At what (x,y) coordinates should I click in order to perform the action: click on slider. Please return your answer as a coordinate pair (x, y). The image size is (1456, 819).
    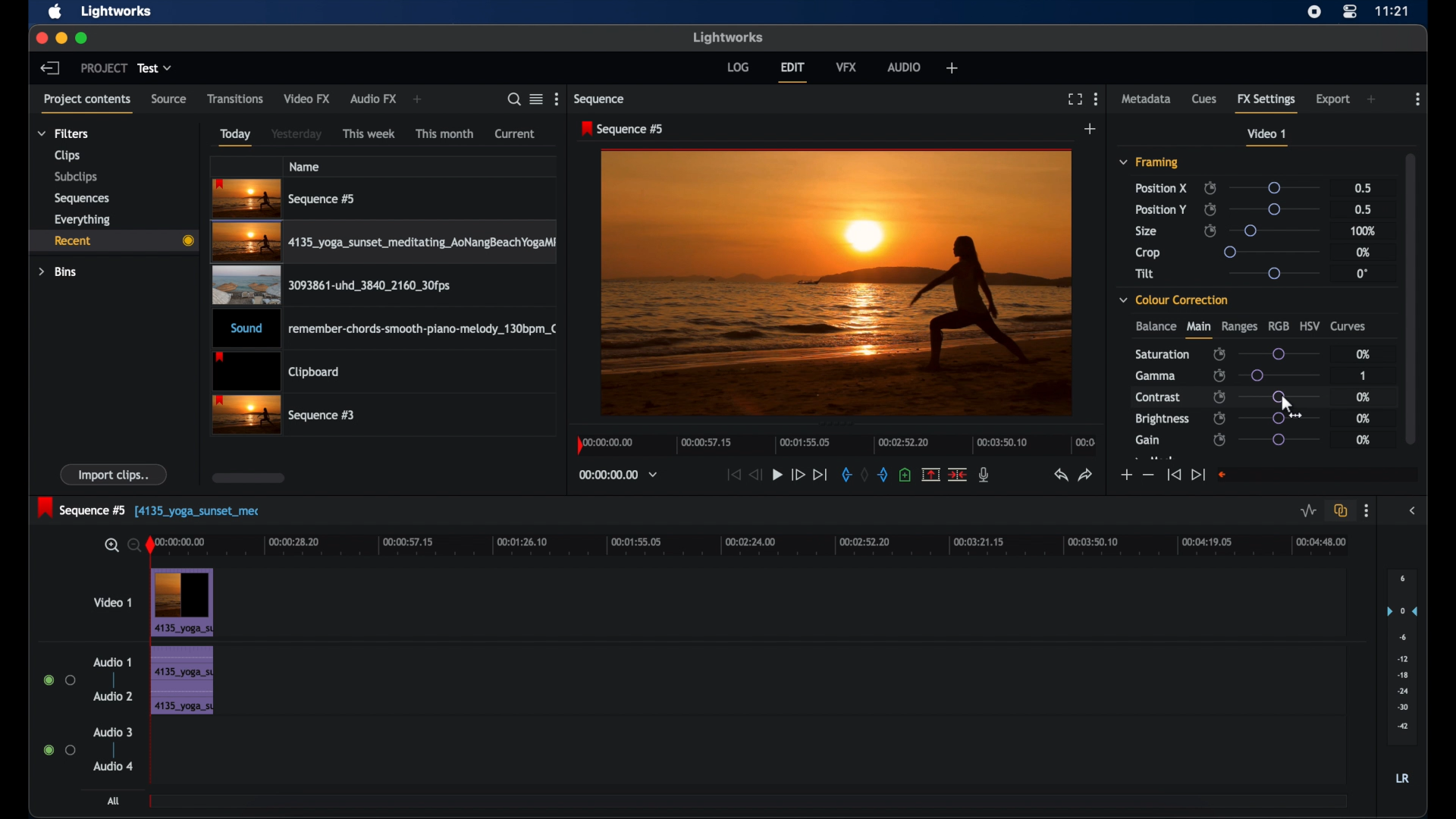
    Looking at the image, I should click on (1278, 419).